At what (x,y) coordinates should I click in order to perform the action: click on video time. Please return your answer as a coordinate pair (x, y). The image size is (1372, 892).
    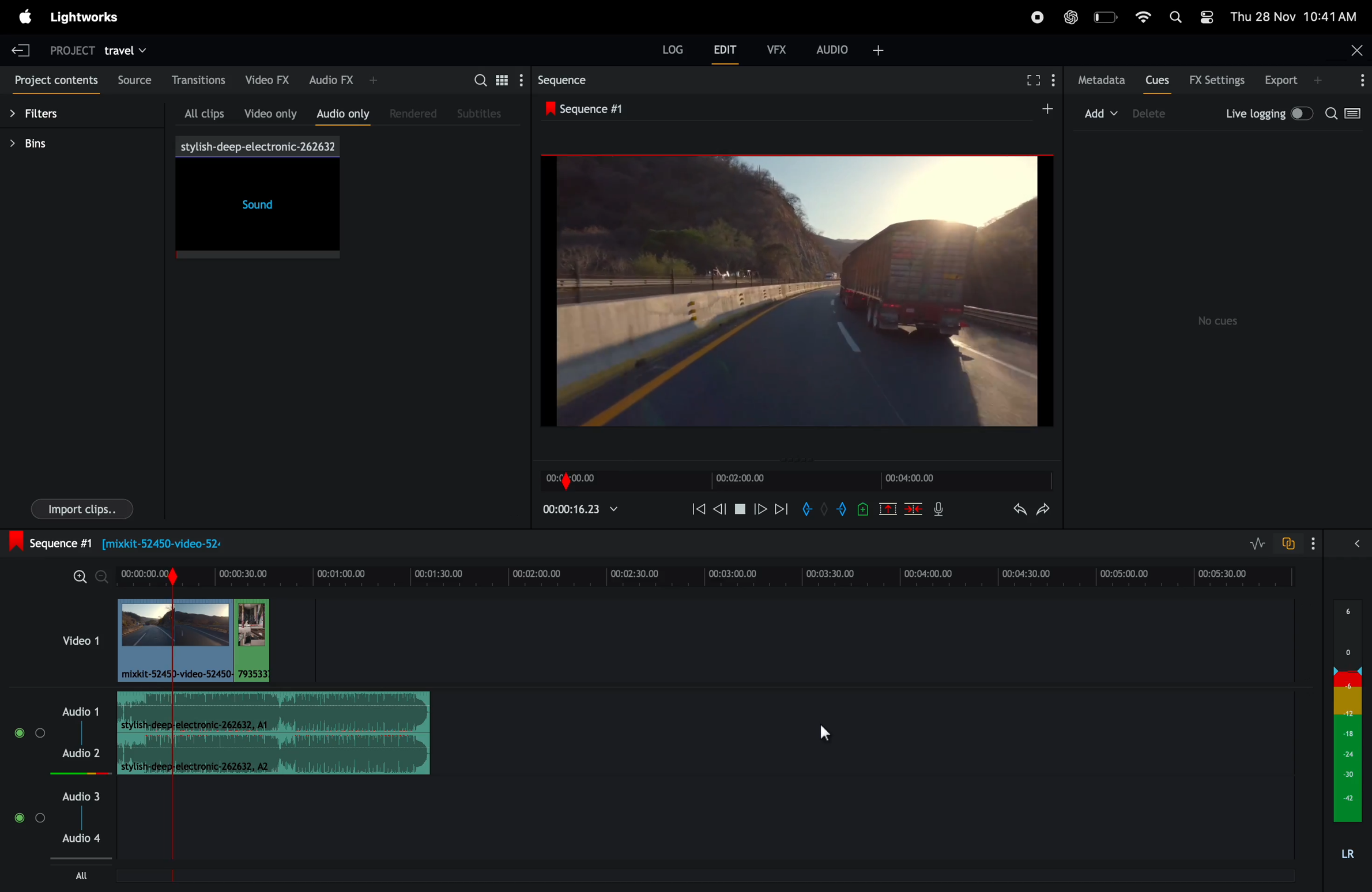
    Looking at the image, I should click on (756, 478).